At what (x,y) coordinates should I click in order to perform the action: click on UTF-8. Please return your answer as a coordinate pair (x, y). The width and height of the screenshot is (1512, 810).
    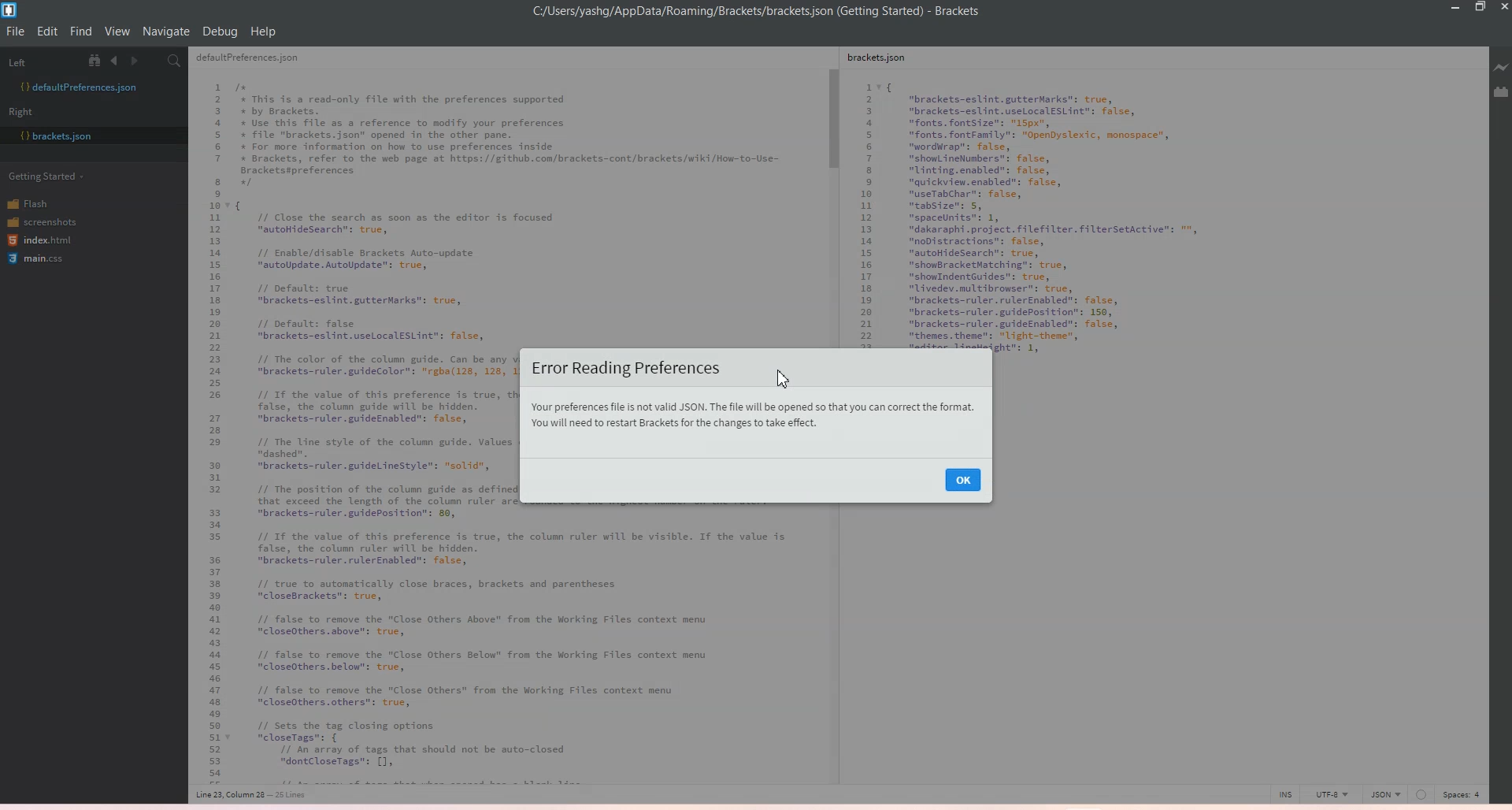
    Looking at the image, I should click on (1331, 793).